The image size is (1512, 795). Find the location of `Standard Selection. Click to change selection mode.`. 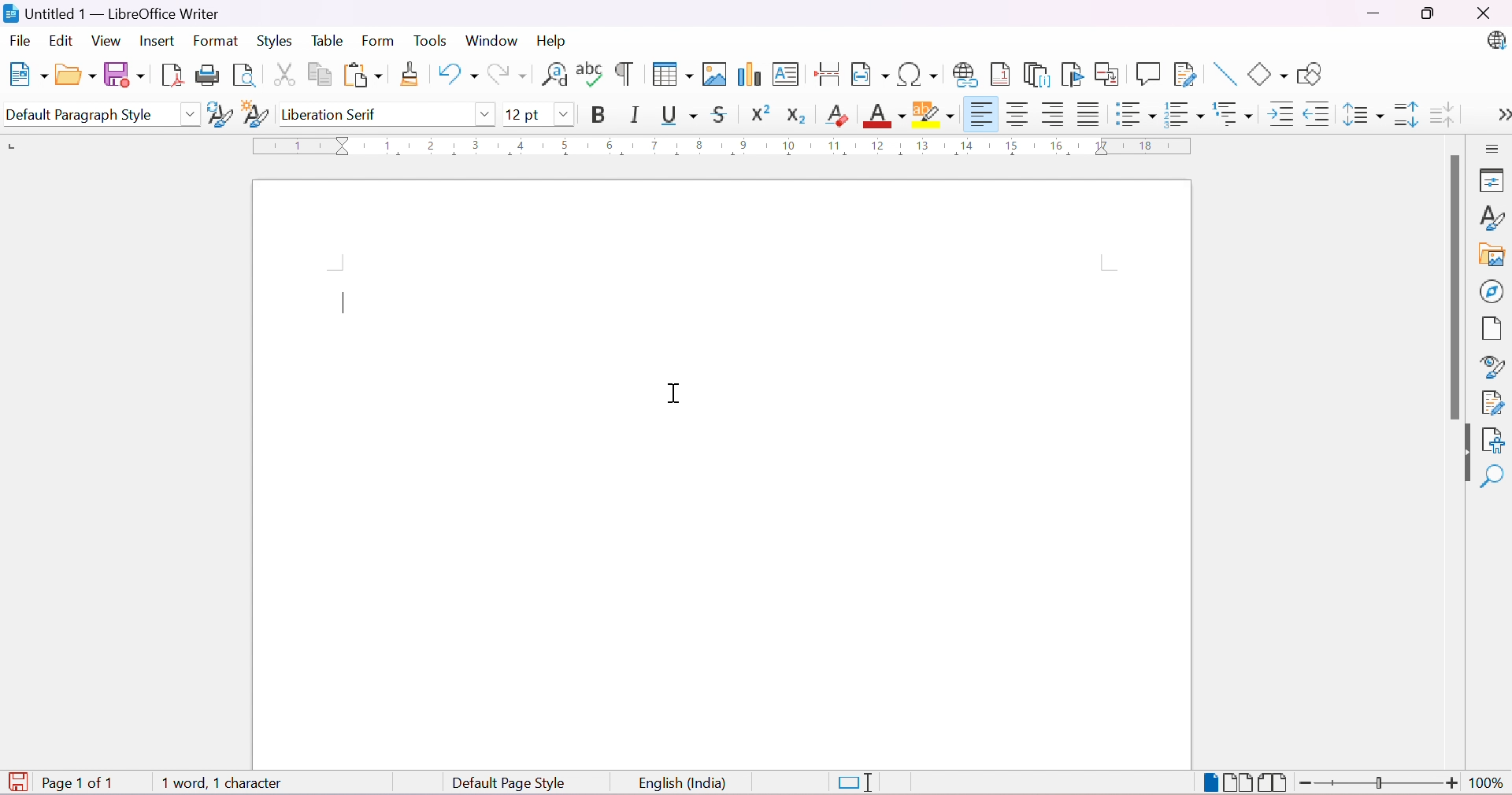

Standard Selection. Click to change selection mode. is located at coordinates (857, 783).